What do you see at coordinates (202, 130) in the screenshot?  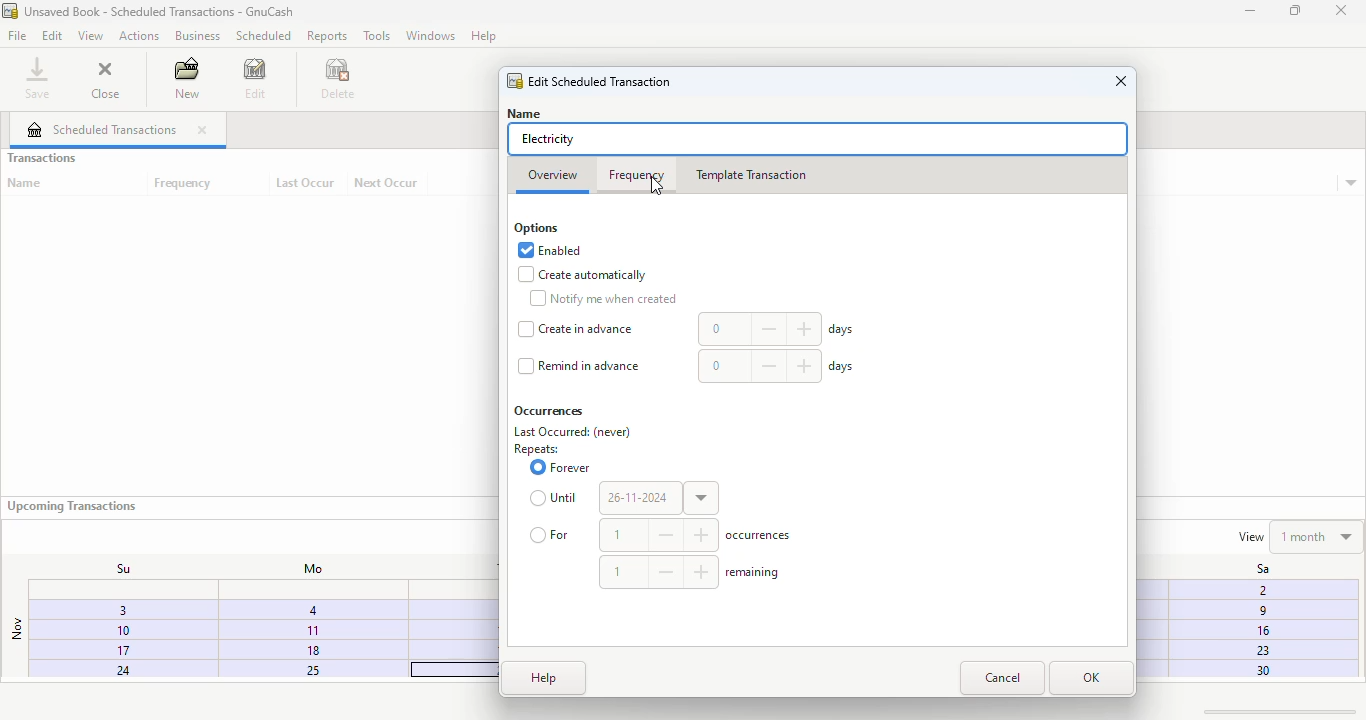 I see `close` at bounding box center [202, 130].